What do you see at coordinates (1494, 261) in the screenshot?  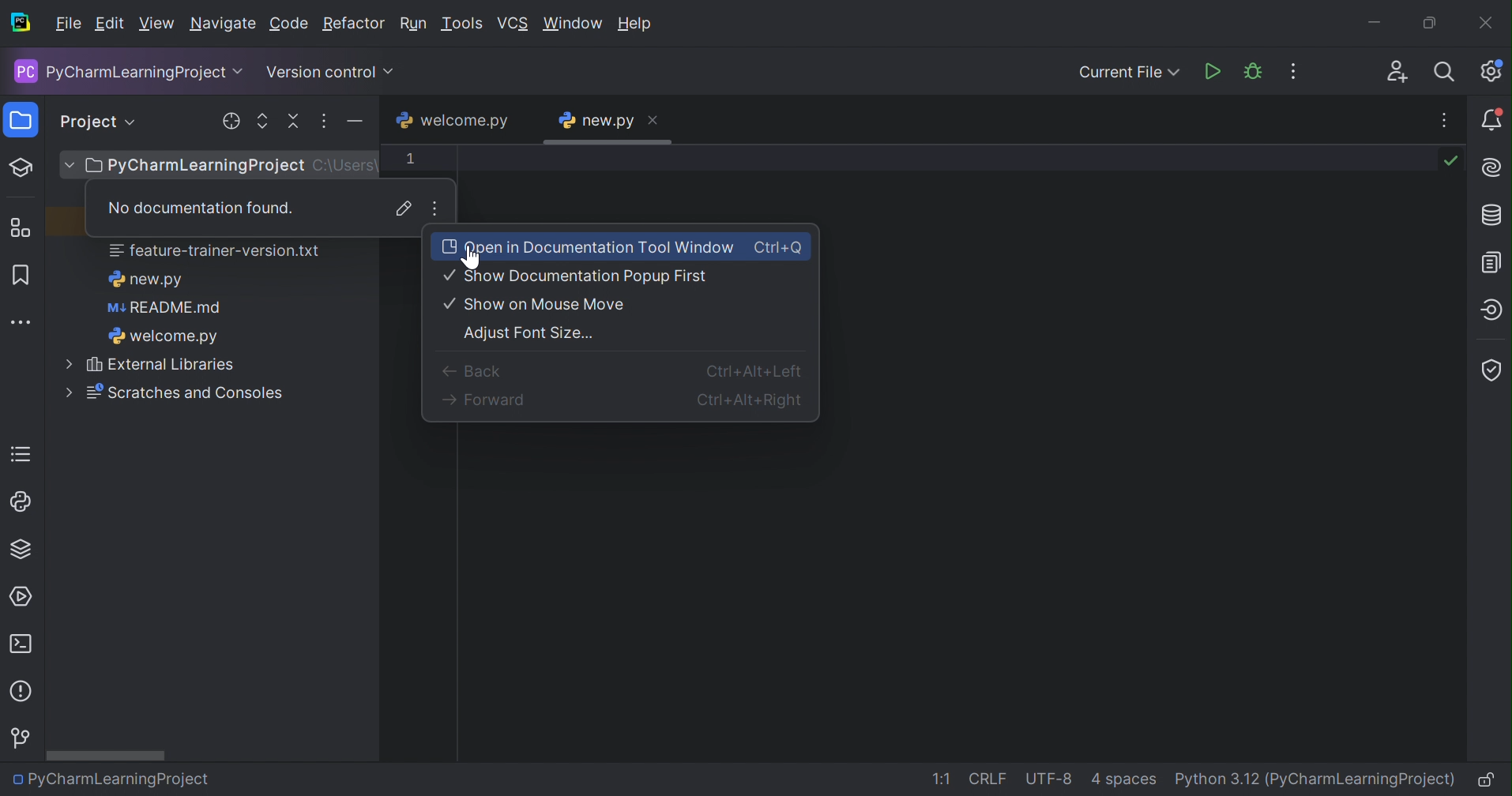 I see `Documentation` at bounding box center [1494, 261].